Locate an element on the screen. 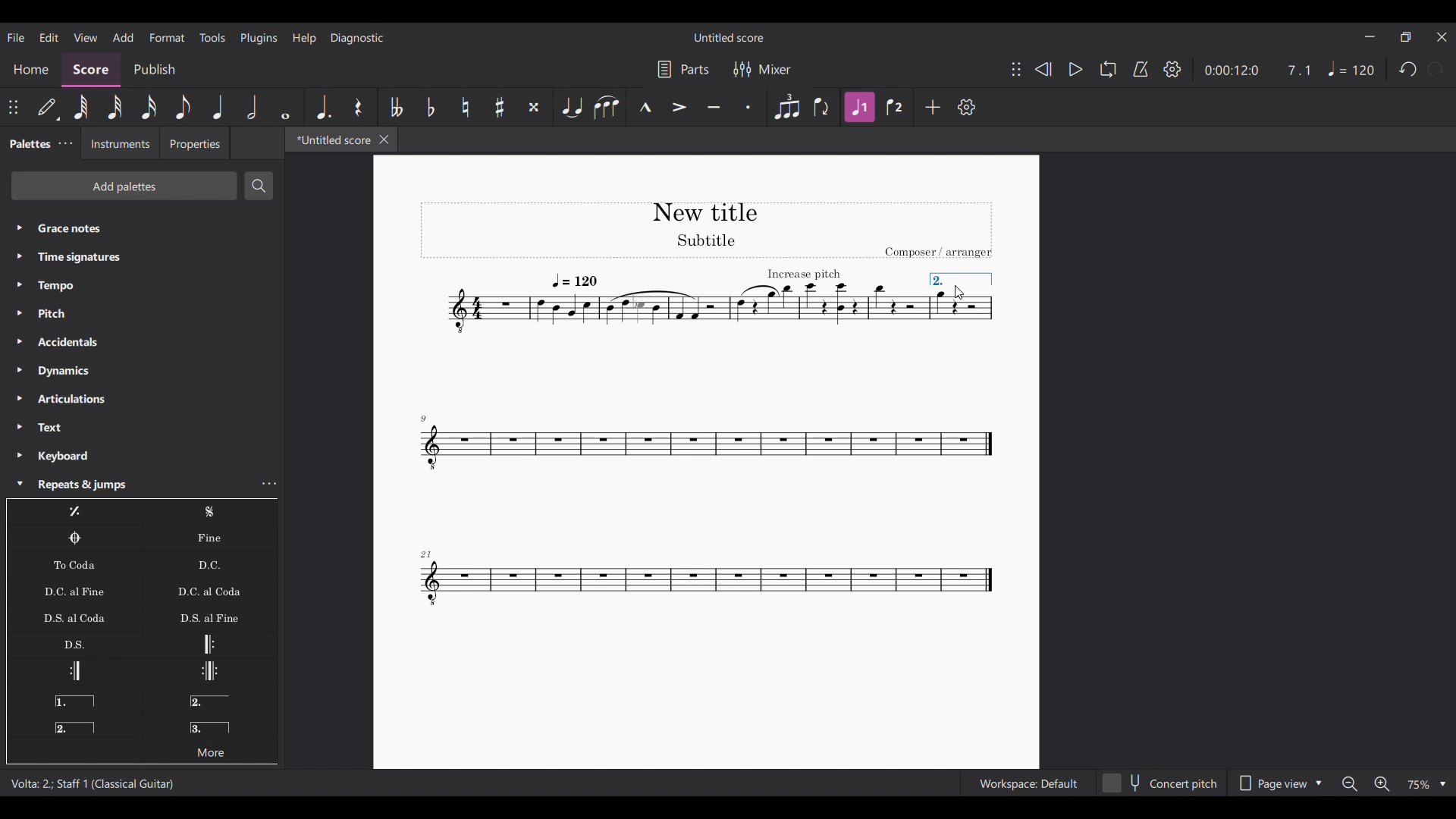 The width and height of the screenshot is (1456, 819). Segno is located at coordinates (210, 512).